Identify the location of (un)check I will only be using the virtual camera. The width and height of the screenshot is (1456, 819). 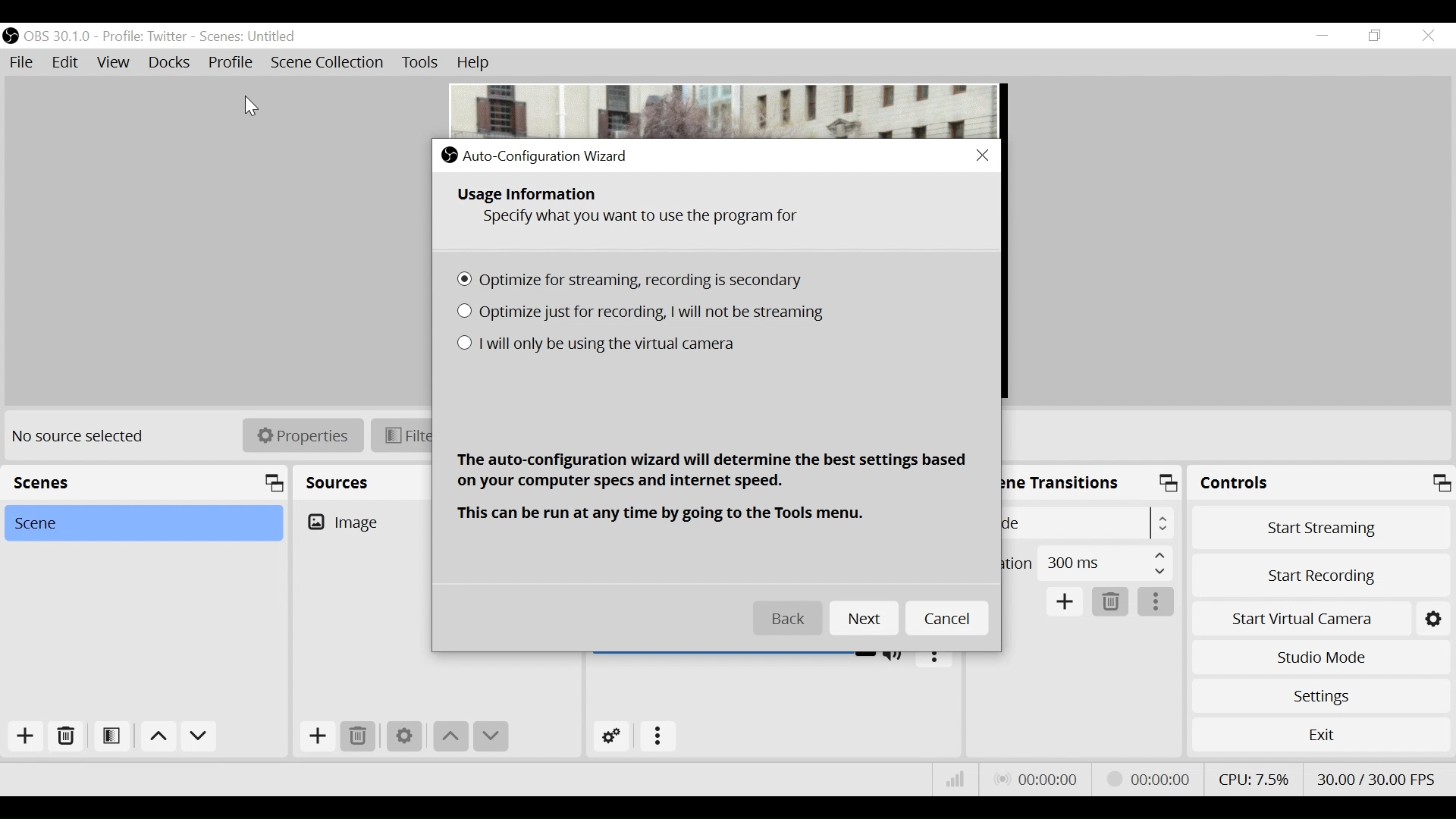
(598, 347).